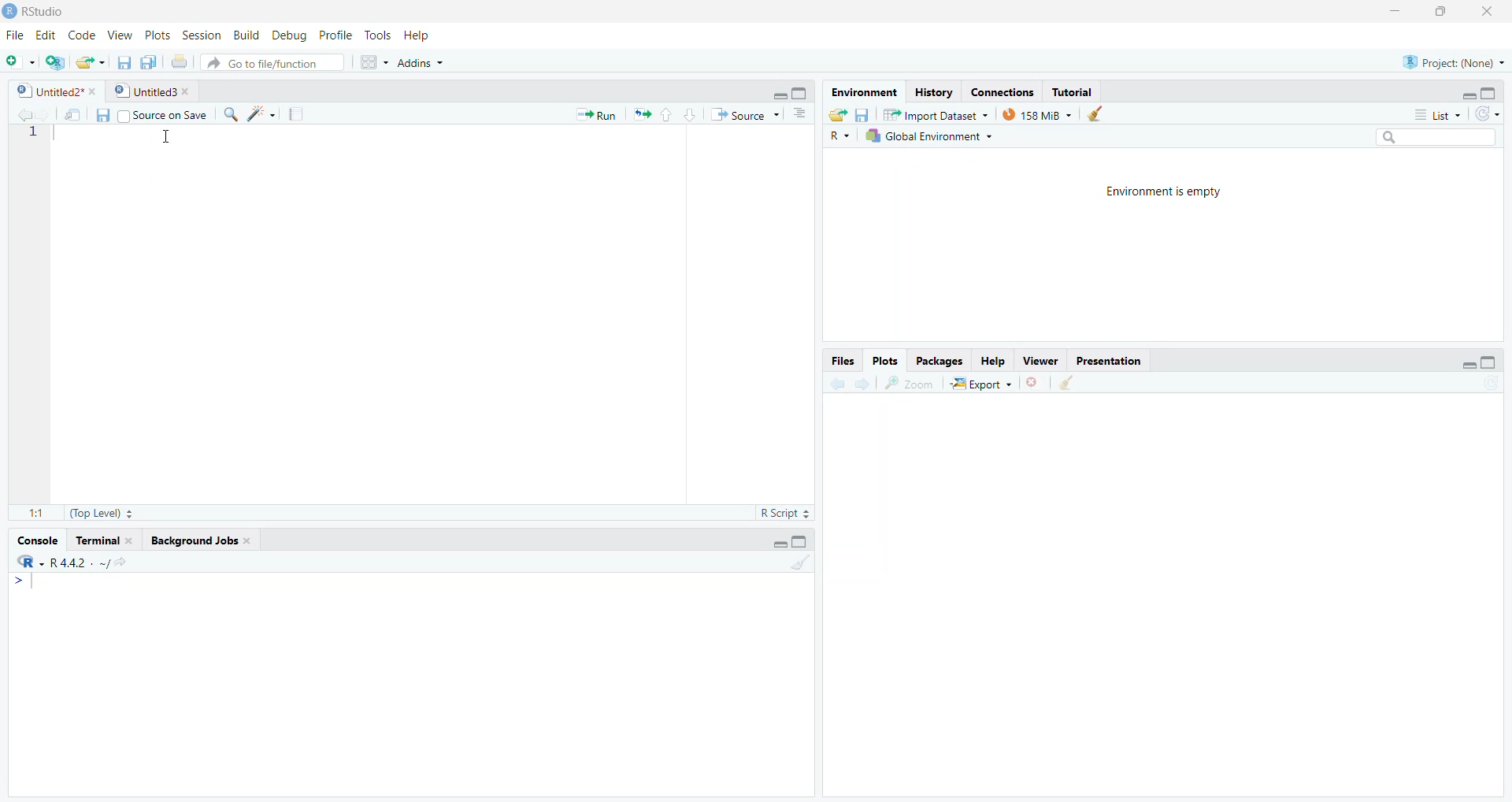  What do you see at coordinates (69, 113) in the screenshot?
I see `Show in new window` at bounding box center [69, 113].